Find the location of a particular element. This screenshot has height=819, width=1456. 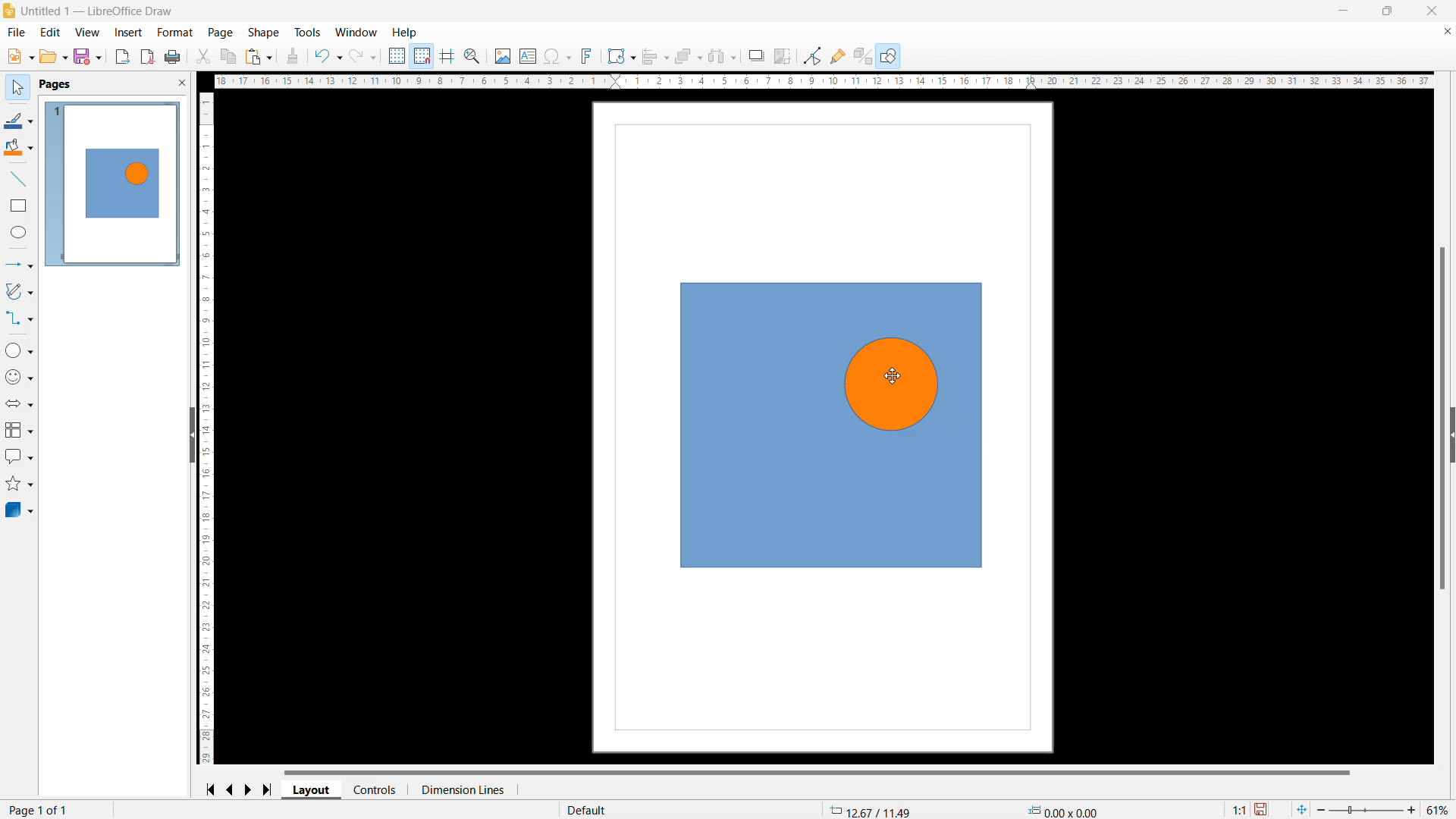

file is located at coordinates (16, 33).